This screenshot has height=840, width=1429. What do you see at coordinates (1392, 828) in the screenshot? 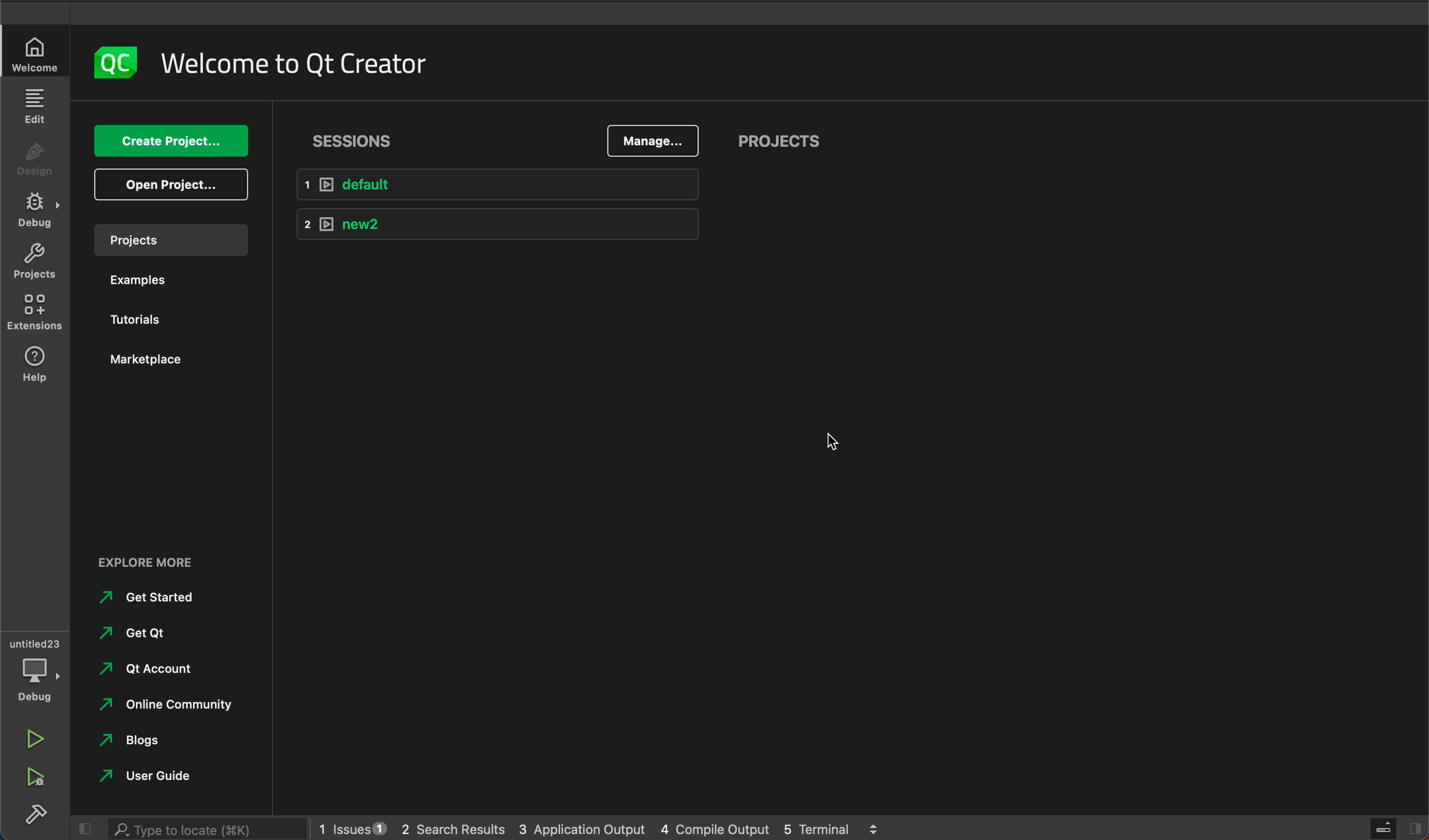
I see `close slide bar` at bounding box center [1392, 828].